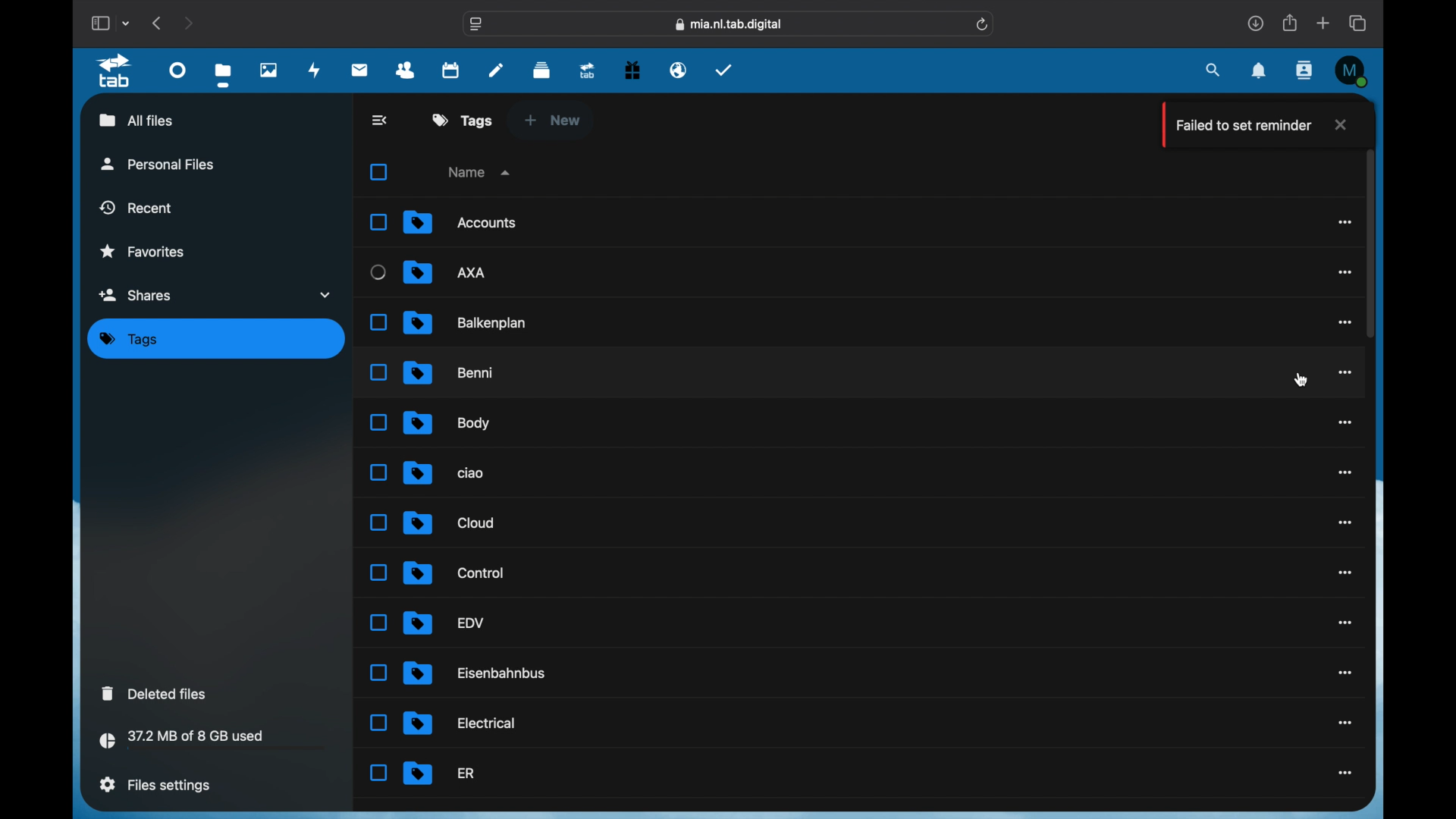 This screenshot has width=1456, height=819. What do you see at coordinates (378, 773) in the screenshot?
I see `Unselected Checkbox` at bounding box center [378, 773].